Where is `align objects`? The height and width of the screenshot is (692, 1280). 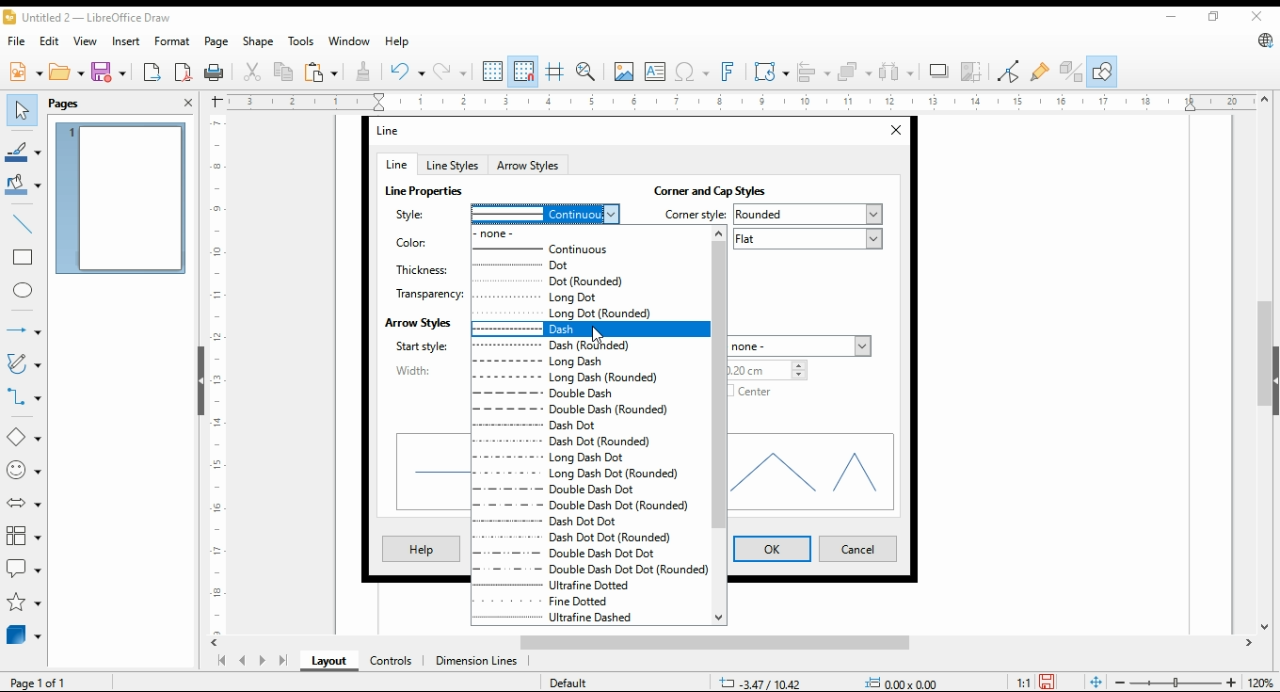
align objects is located at coordinates (810, 70).